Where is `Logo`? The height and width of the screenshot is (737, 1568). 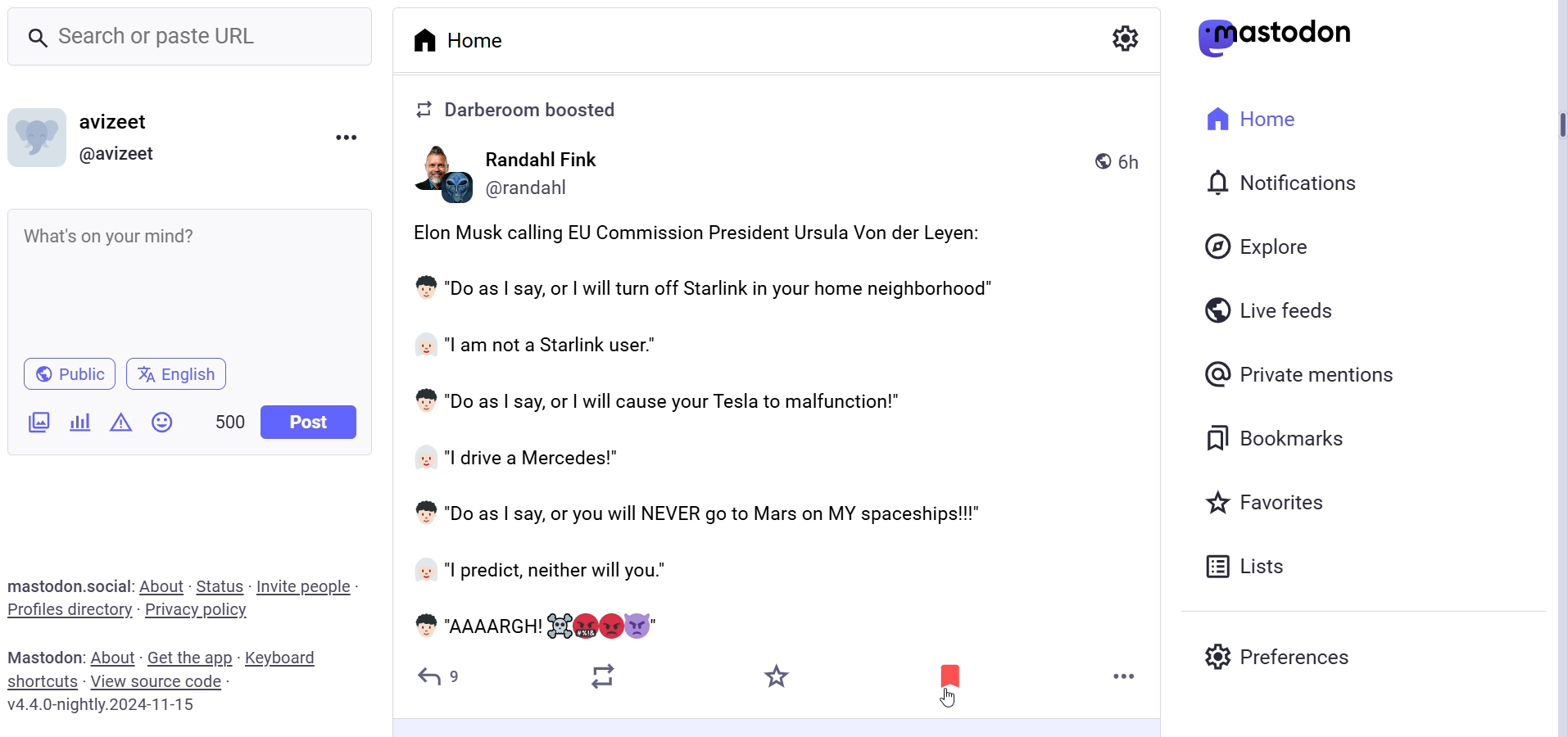
Logo is located at coordinates (1282, 36).